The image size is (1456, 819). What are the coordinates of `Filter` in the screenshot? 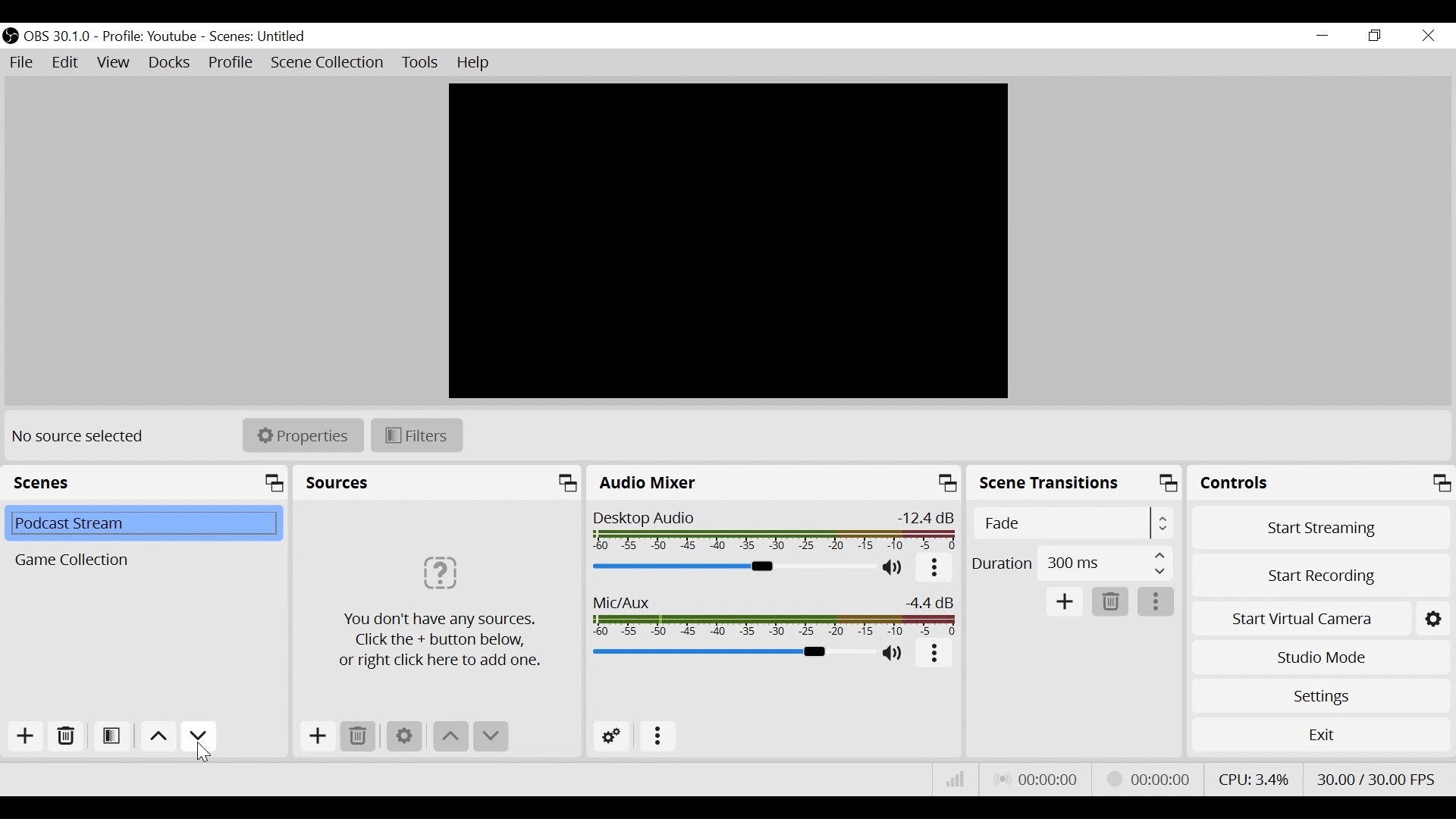 It's located at (415, 434).